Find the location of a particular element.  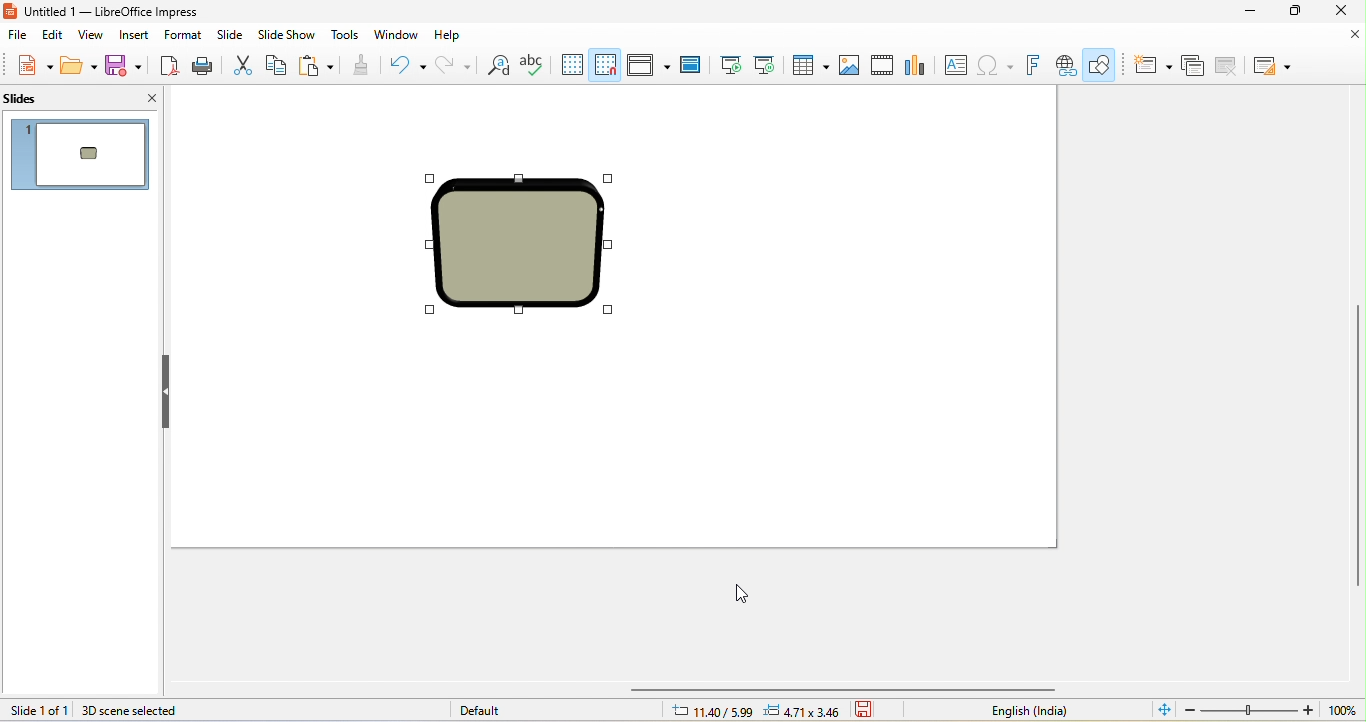

special character is located at coordinates (998, 65).